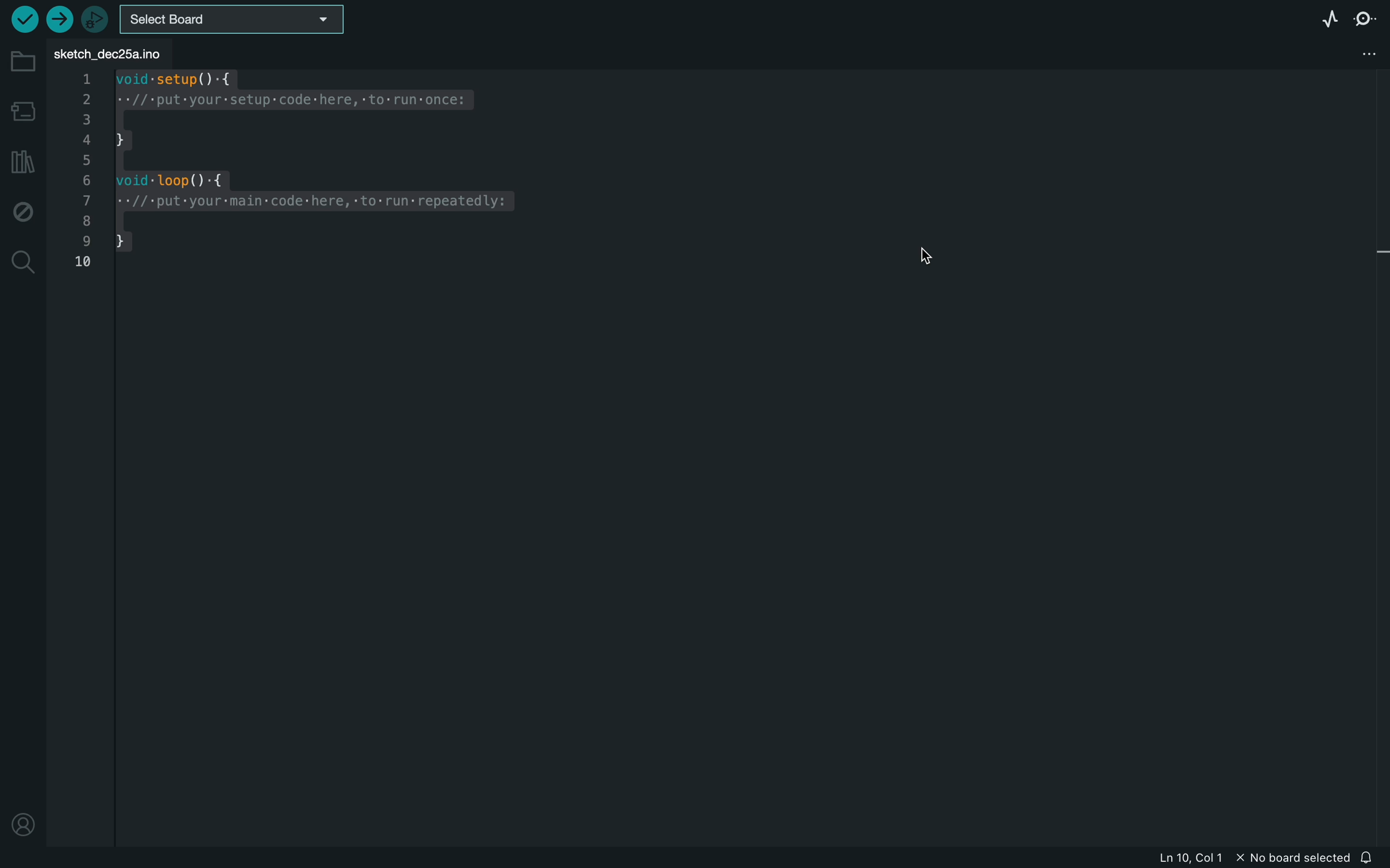 This screenshot has width=1390, height=868. I want to click on search, so click(22, 260).